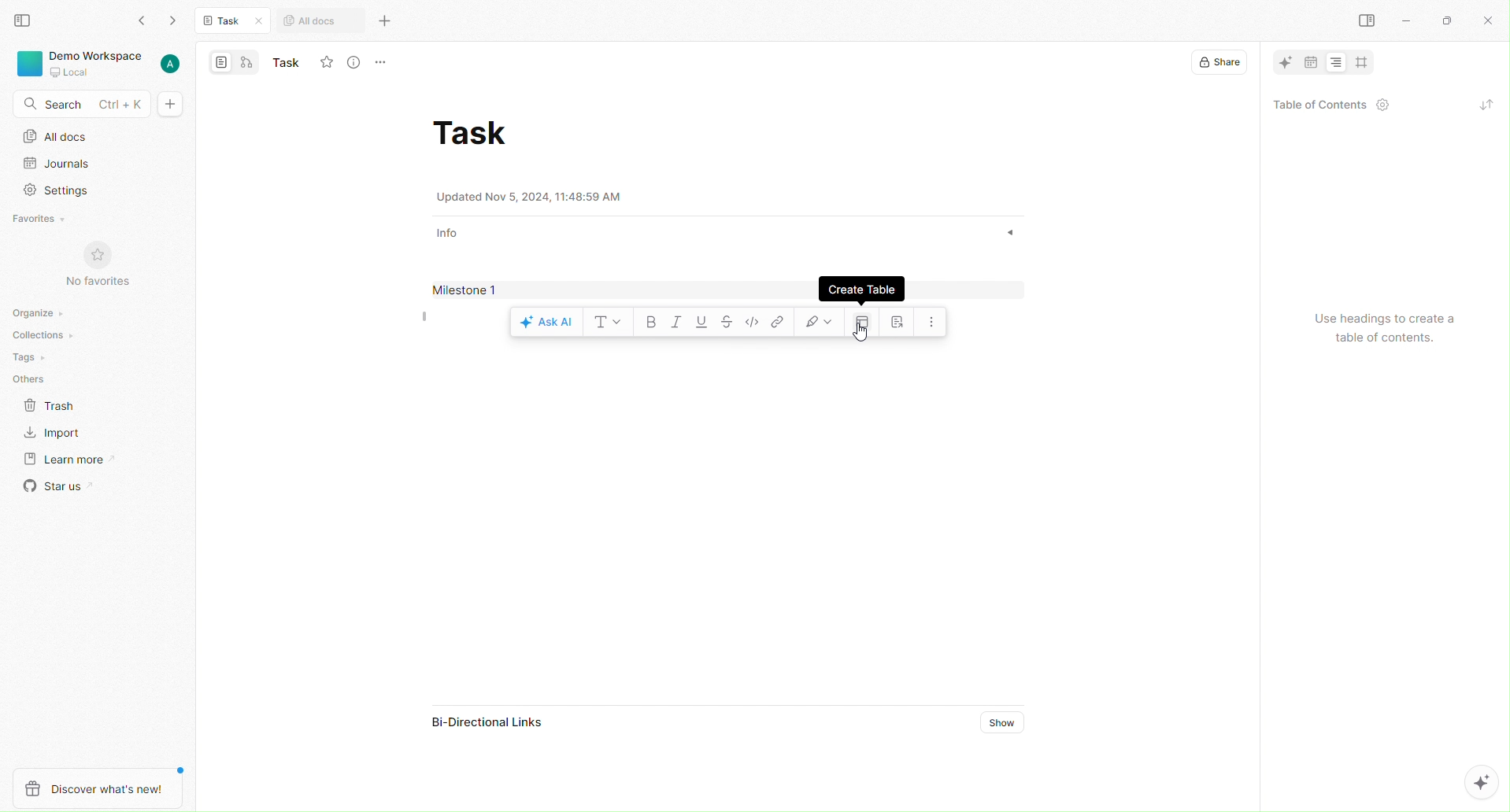 This screenshot has height=812, width=1510. What do you see at coordinates (59, 434) in the screenshot?
I see `Import` at bounding box center [59, 434].